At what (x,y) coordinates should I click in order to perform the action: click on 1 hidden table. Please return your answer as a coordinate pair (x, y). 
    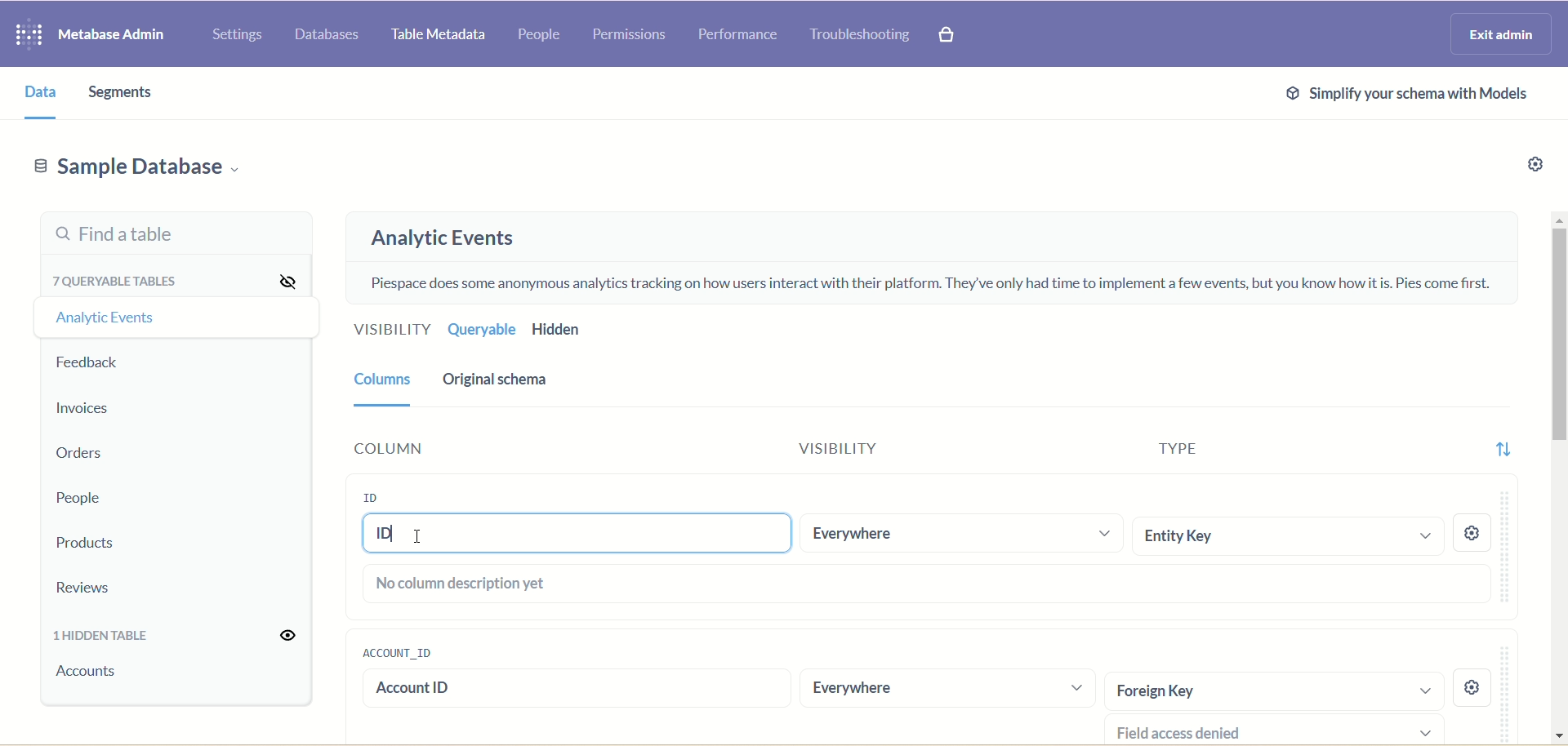
    Looking at the image, I should click on (106, 635).